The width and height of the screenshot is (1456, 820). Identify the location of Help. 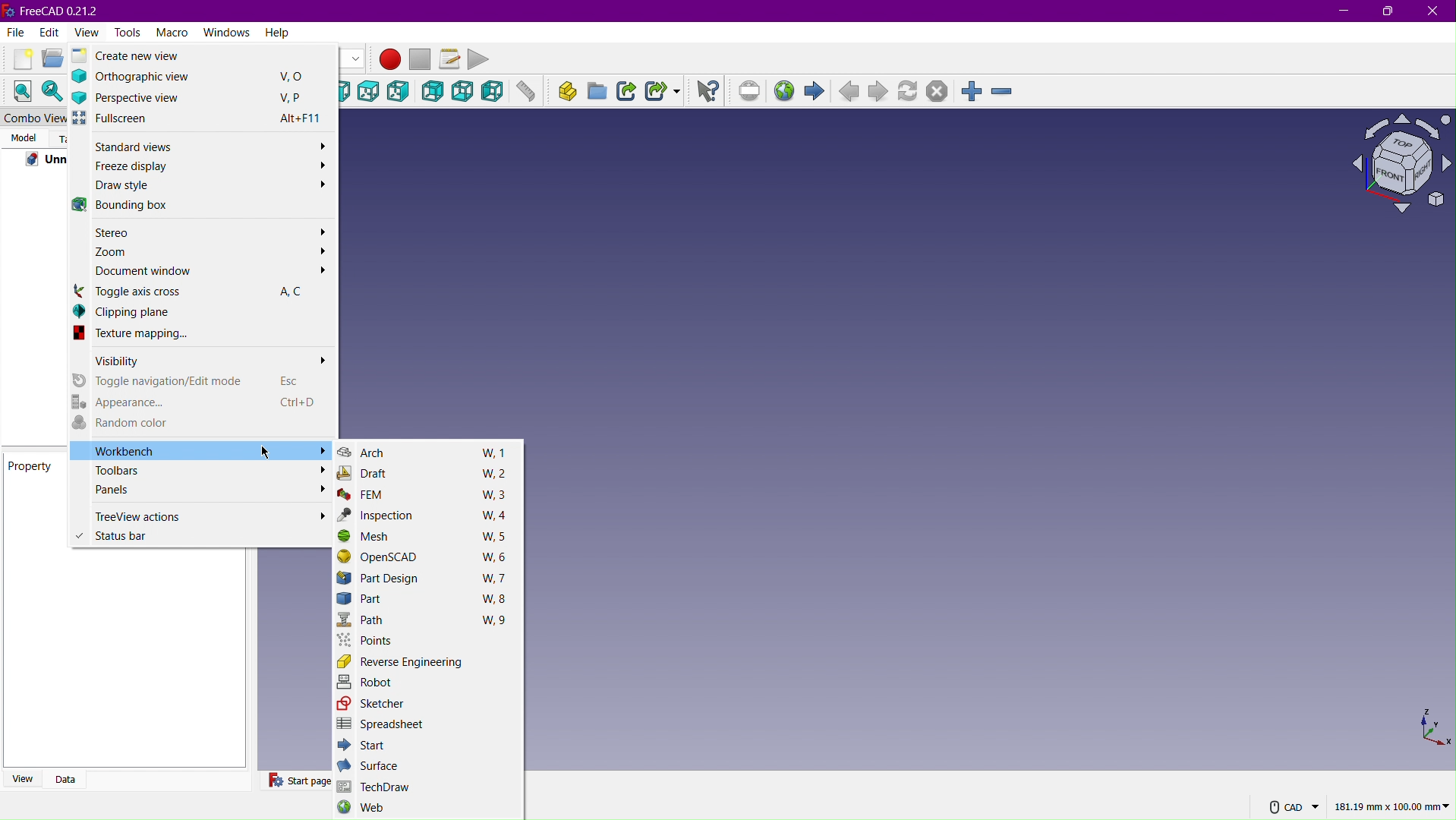
(281, 32).